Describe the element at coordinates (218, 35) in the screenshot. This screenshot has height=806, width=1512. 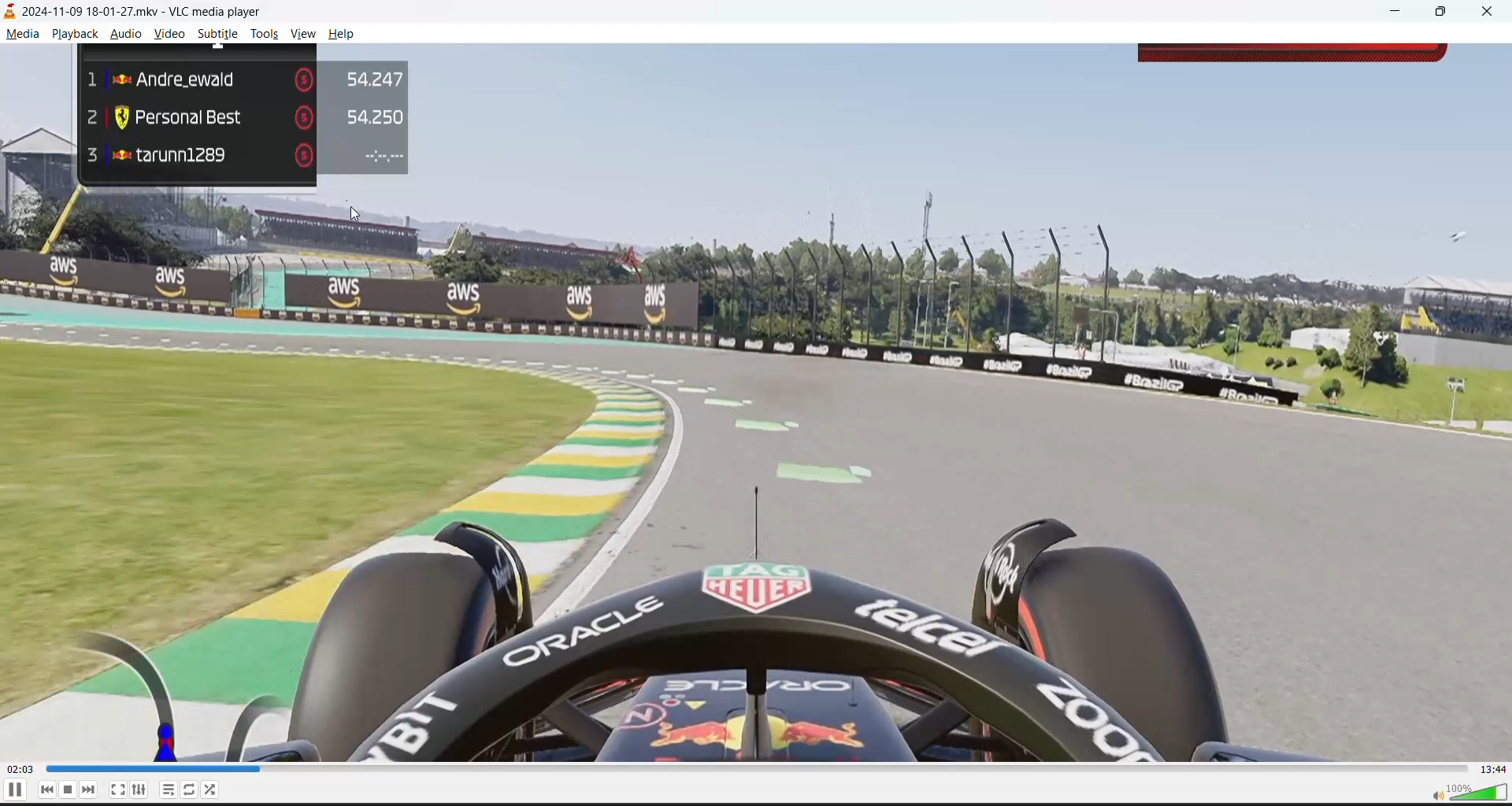
I see `subtitle` at that location.